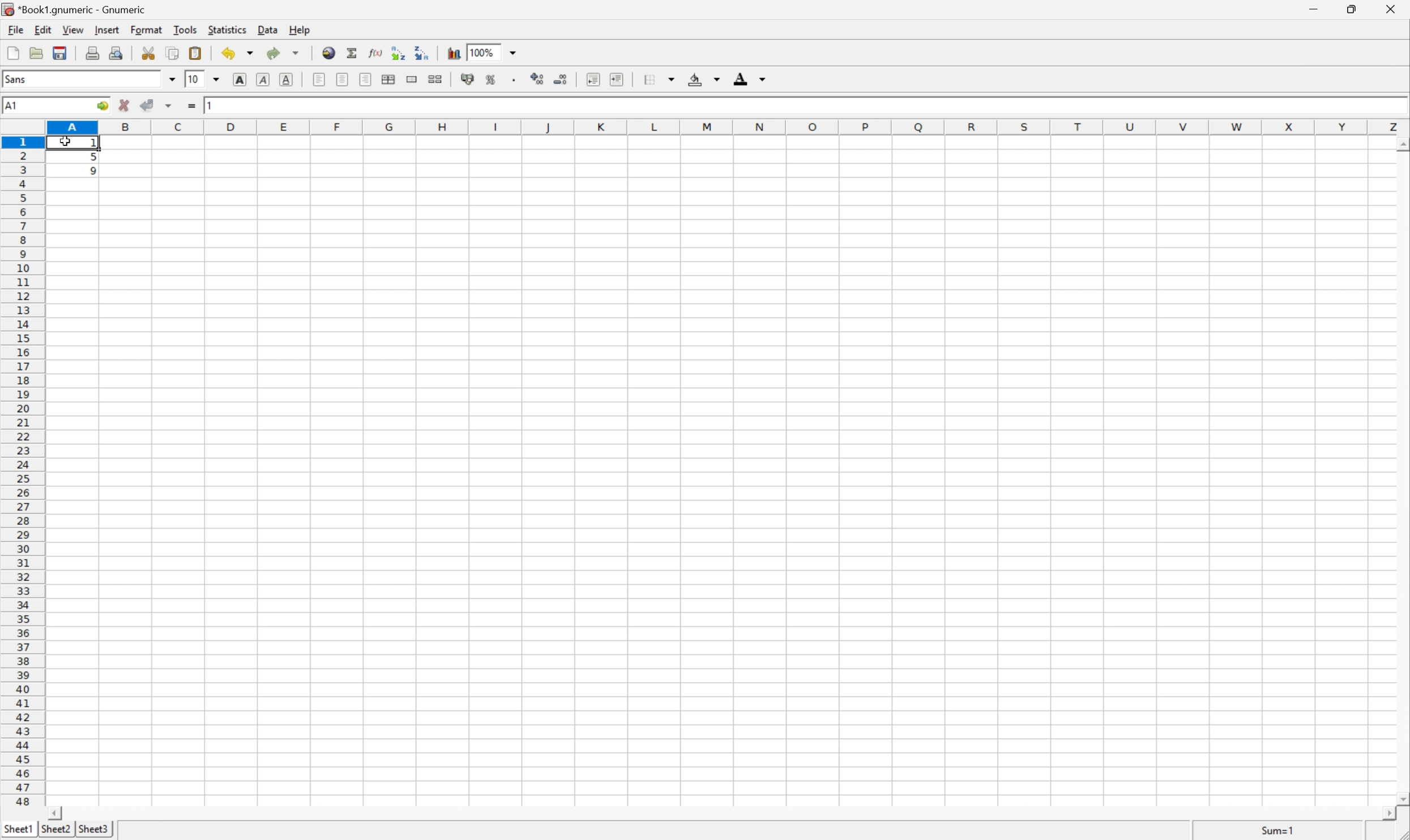 This screenshot has width=1410, height=840. Describe the element at coordinates (212, 104) in the screenshot. I see `1` at that location.